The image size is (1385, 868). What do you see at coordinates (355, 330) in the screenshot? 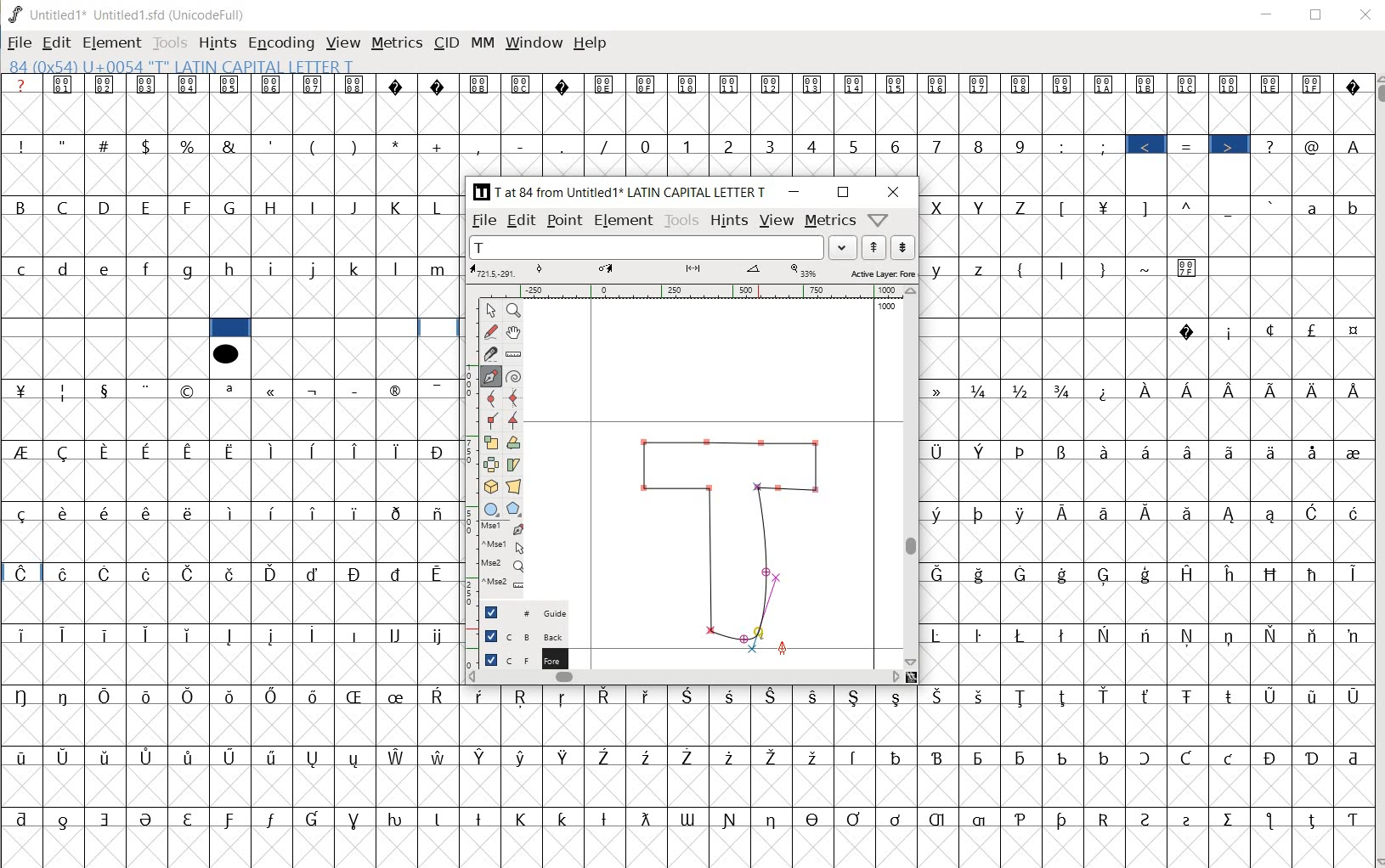
I see `empty spaces` at bounding box center [355, 330].